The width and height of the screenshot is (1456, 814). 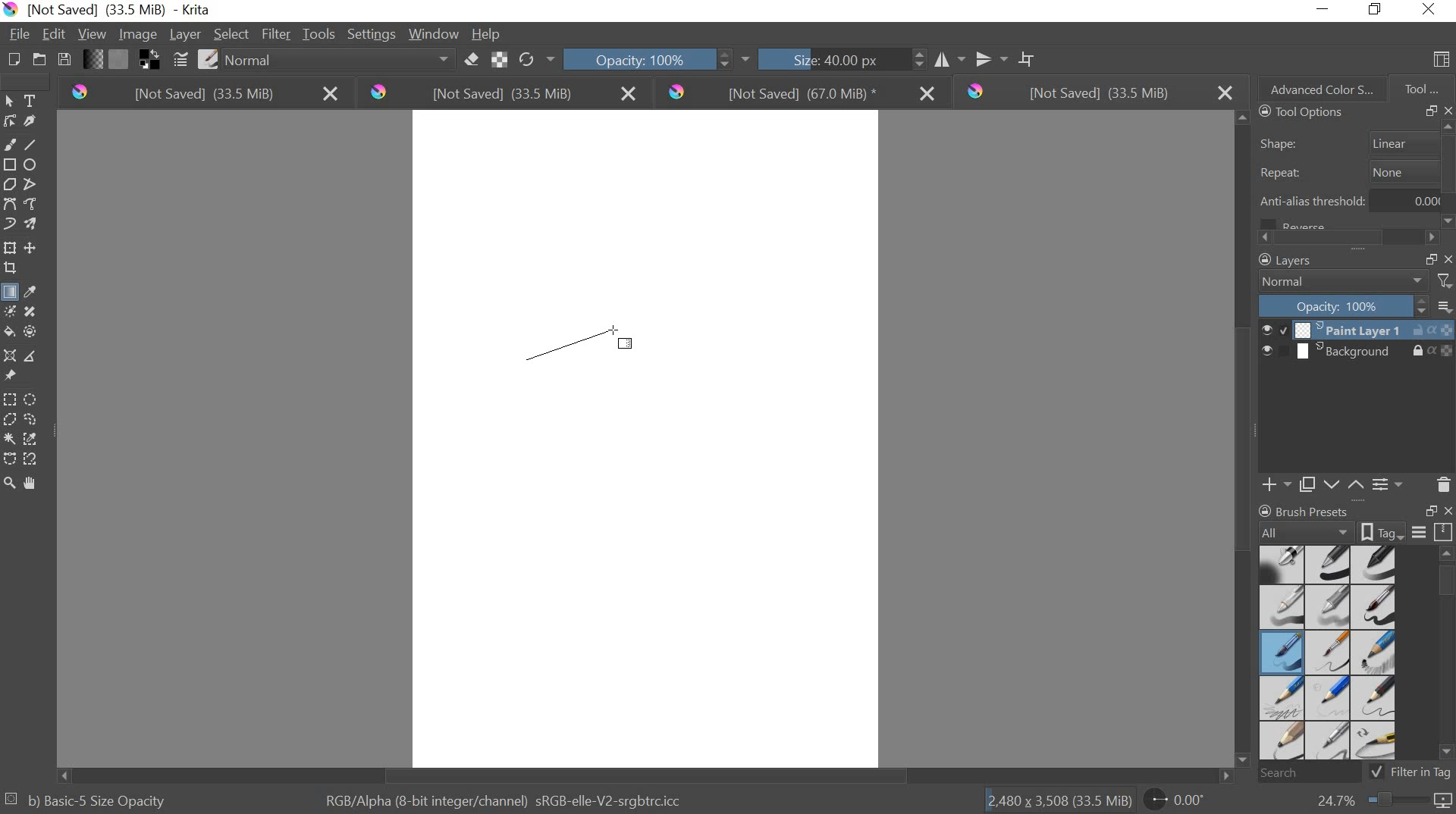 What do you see at coordinates (33, 222) in the screenshot?
I see `multibrush tool` at bounding box center [33, 222].